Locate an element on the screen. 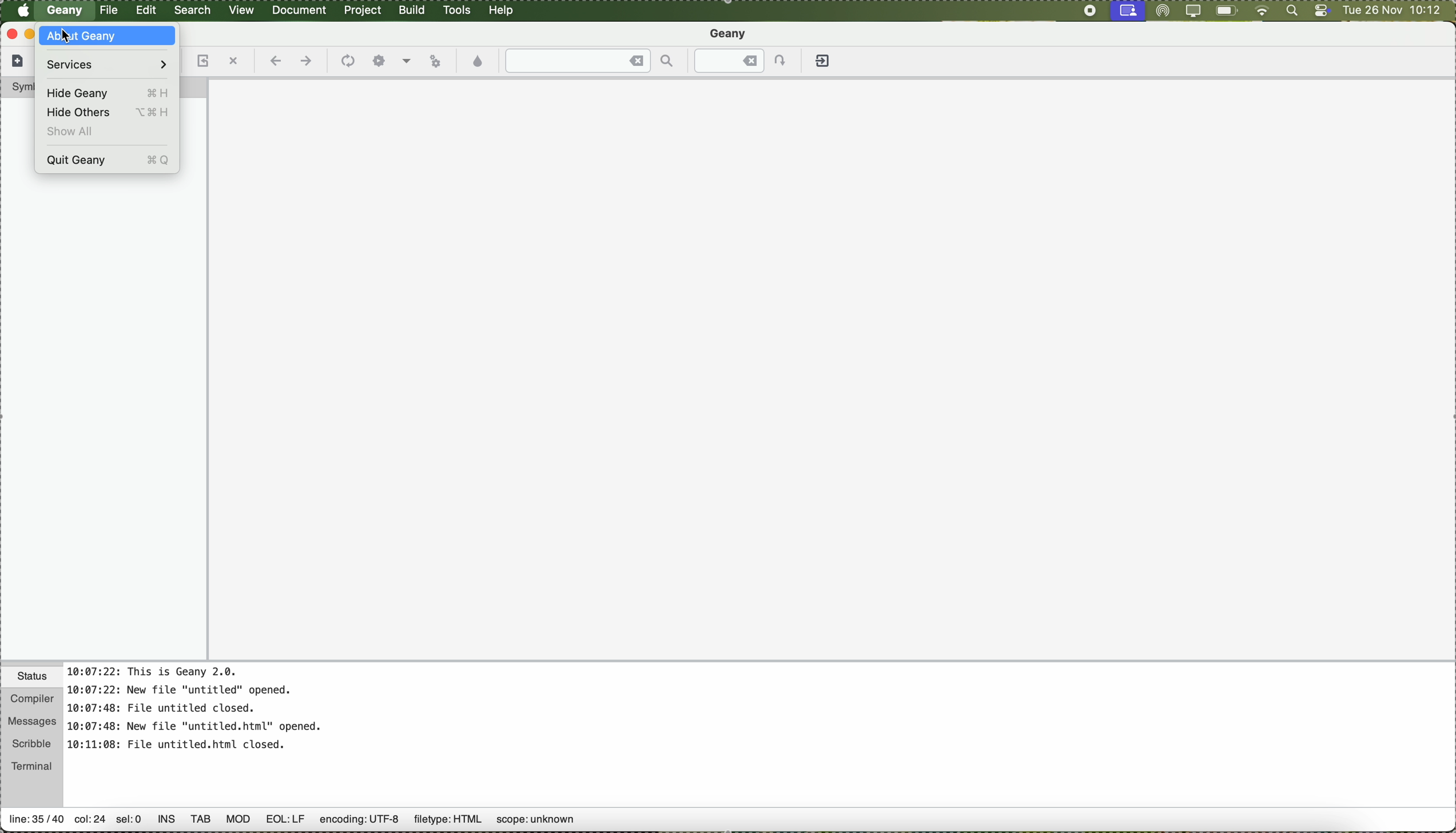 This screenshot has width=1456, height=833. airdrop is located at coordinates (1161, 11).